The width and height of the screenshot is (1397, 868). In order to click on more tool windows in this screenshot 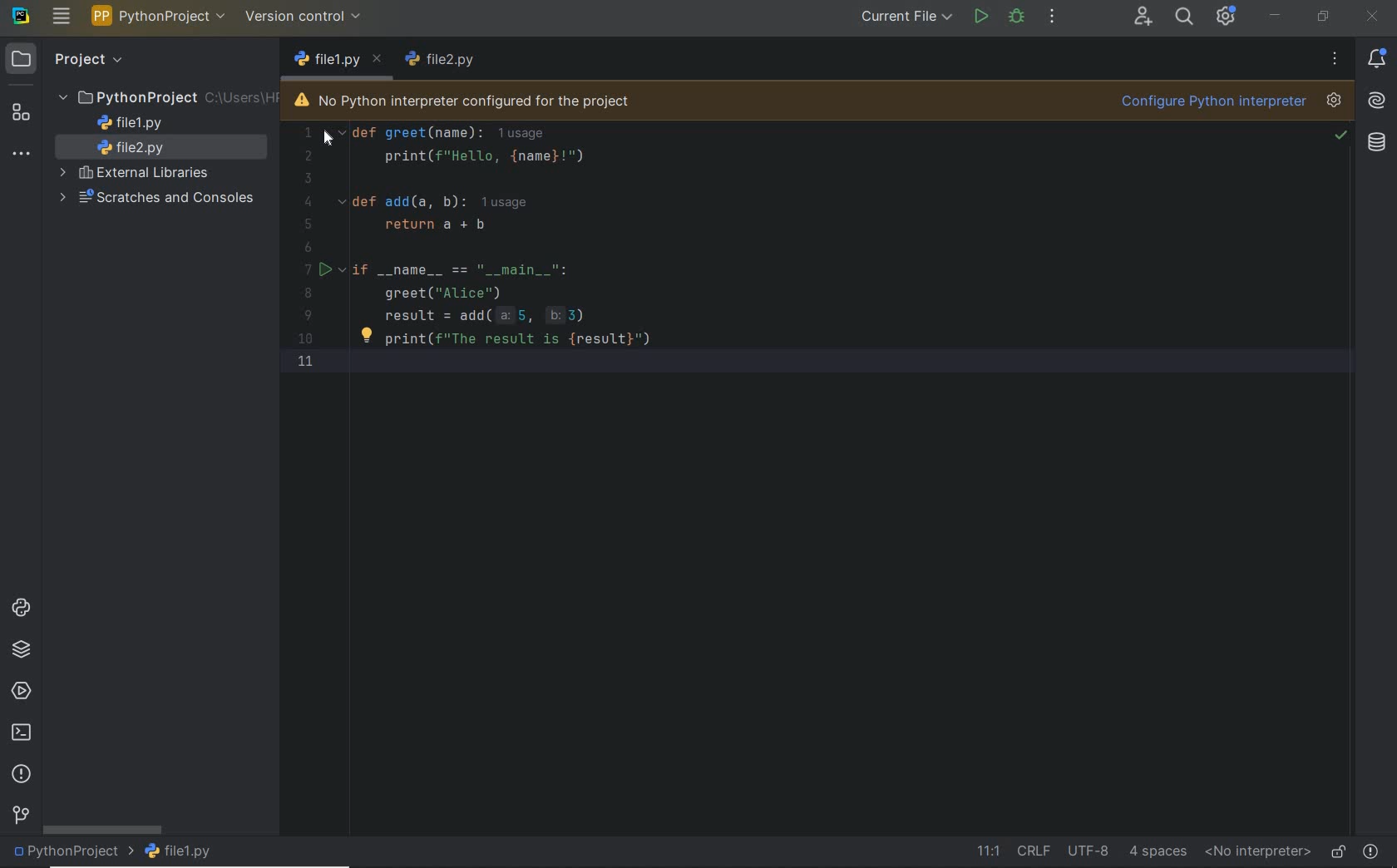, I will do `click(22, 156)`.